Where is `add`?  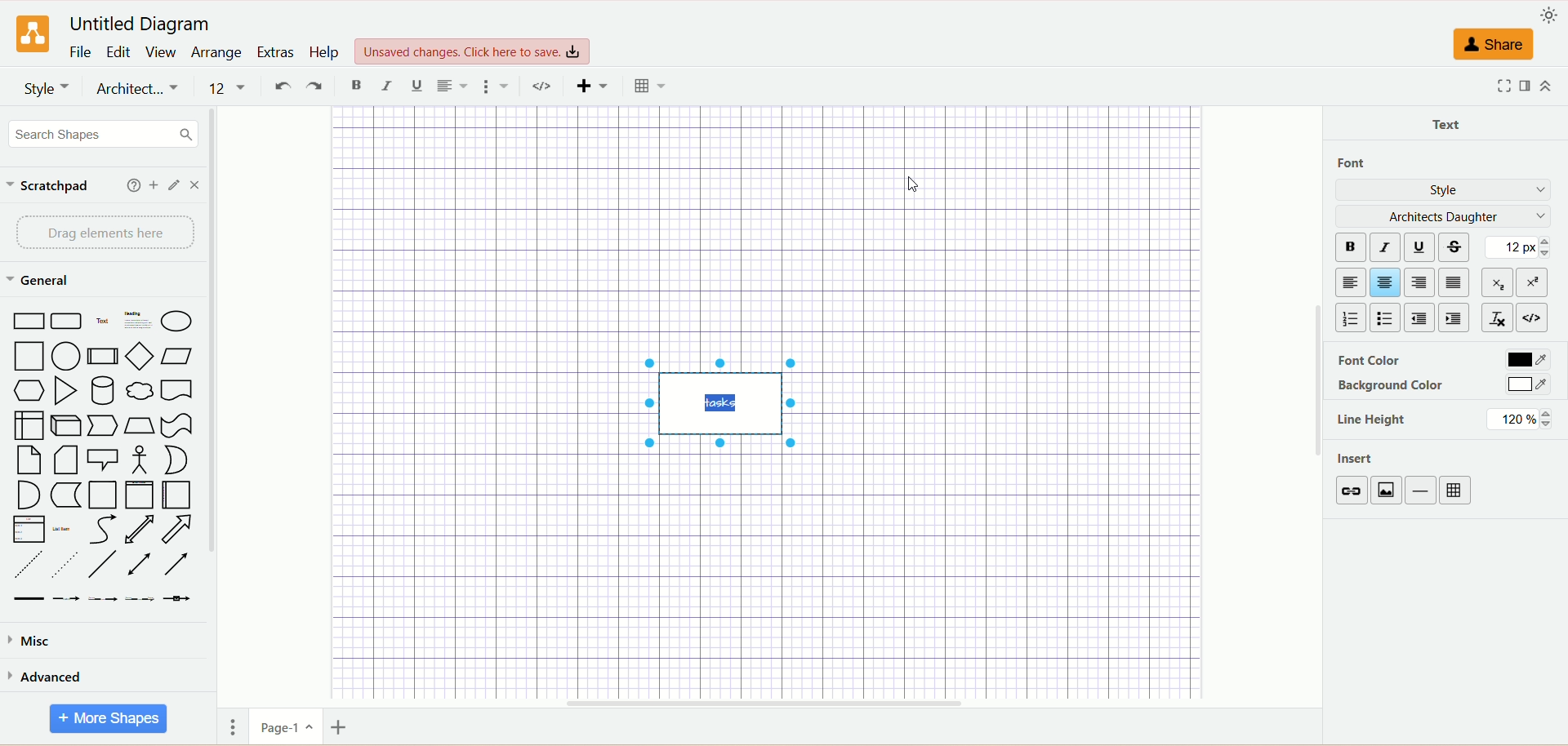
add is located at coordinates (154, 184).